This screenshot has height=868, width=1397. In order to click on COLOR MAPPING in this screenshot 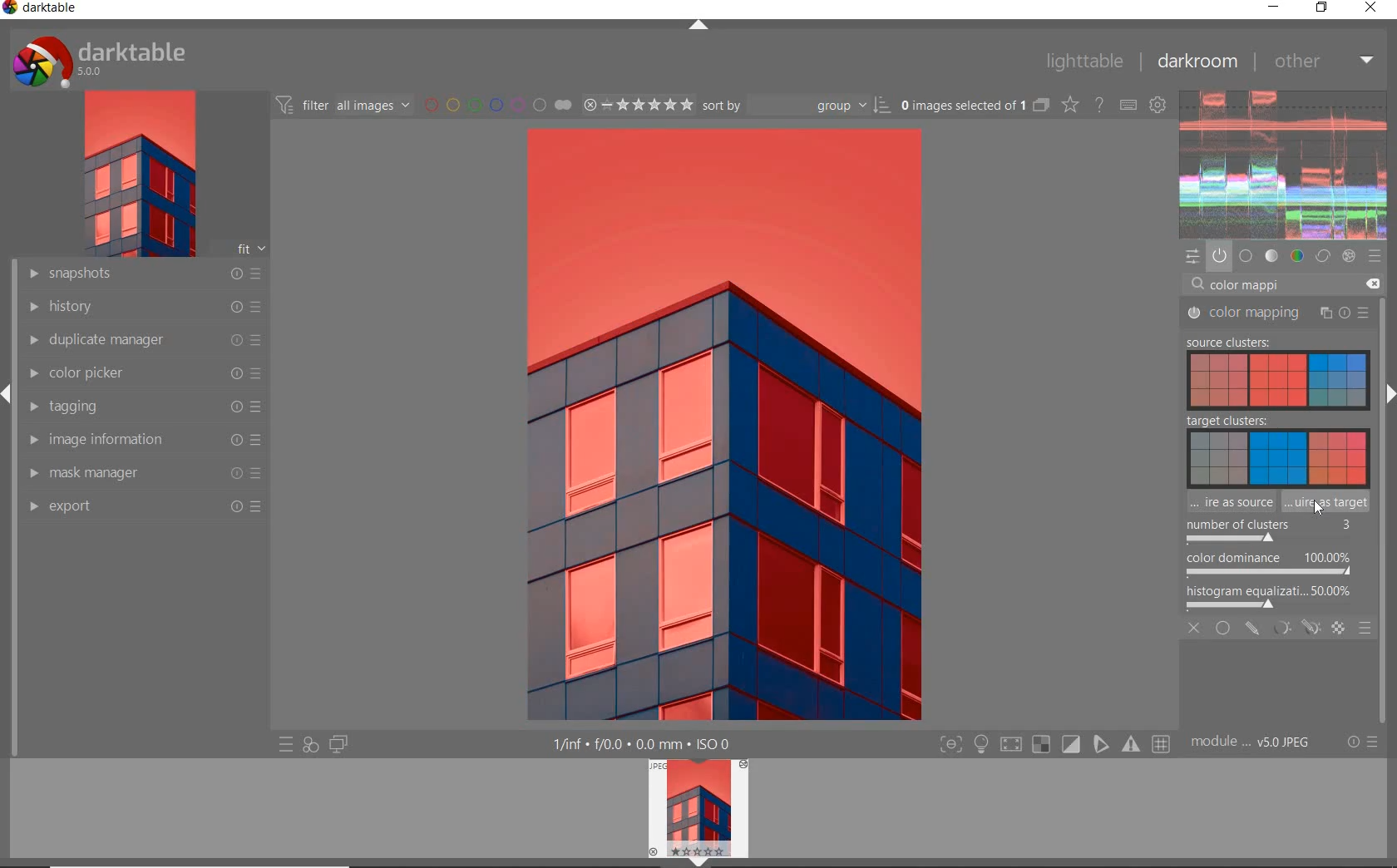, I will do `click(1279, 314)`.